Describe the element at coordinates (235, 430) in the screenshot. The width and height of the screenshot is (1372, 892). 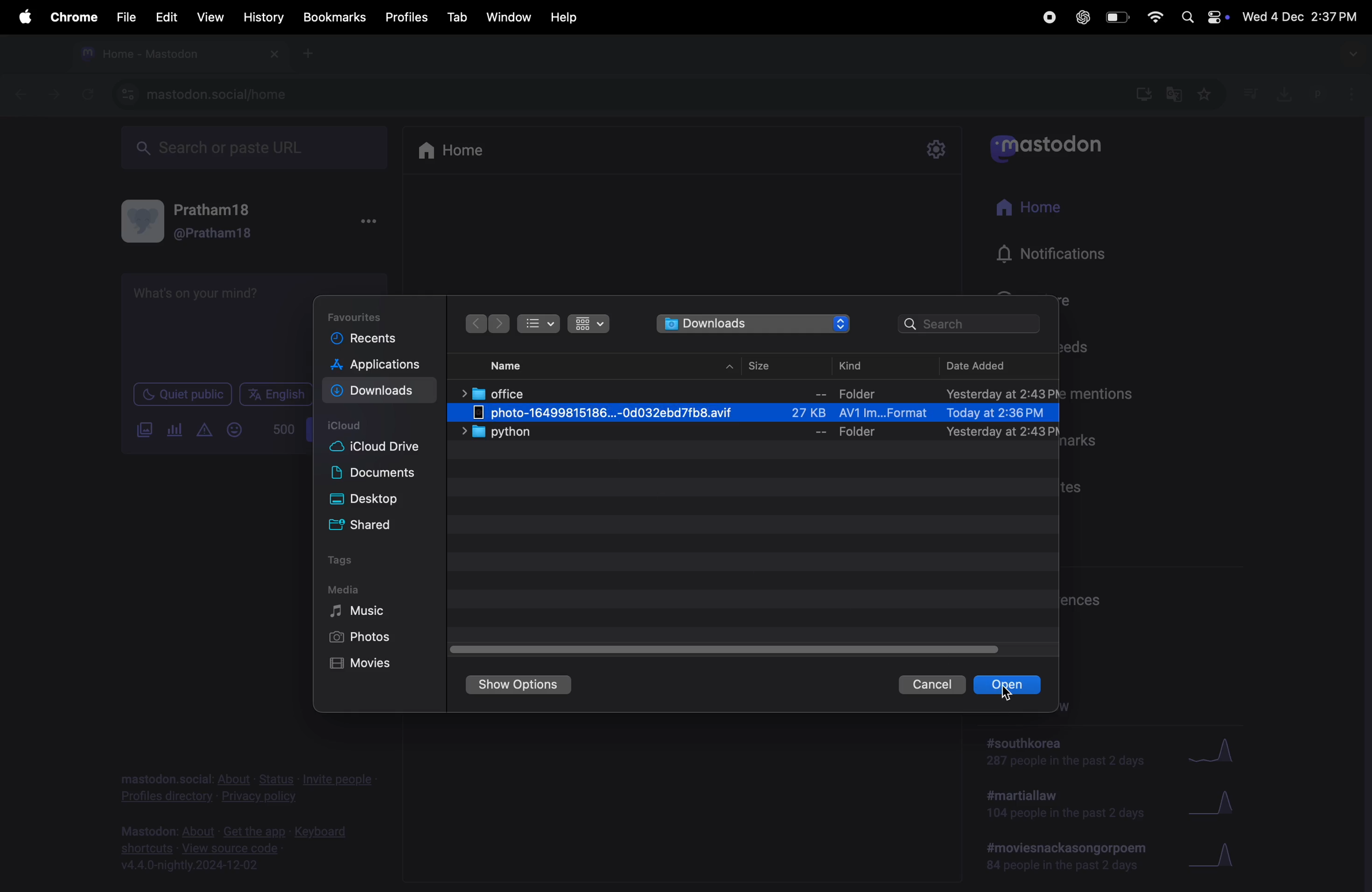
I see `emoji` at that location.